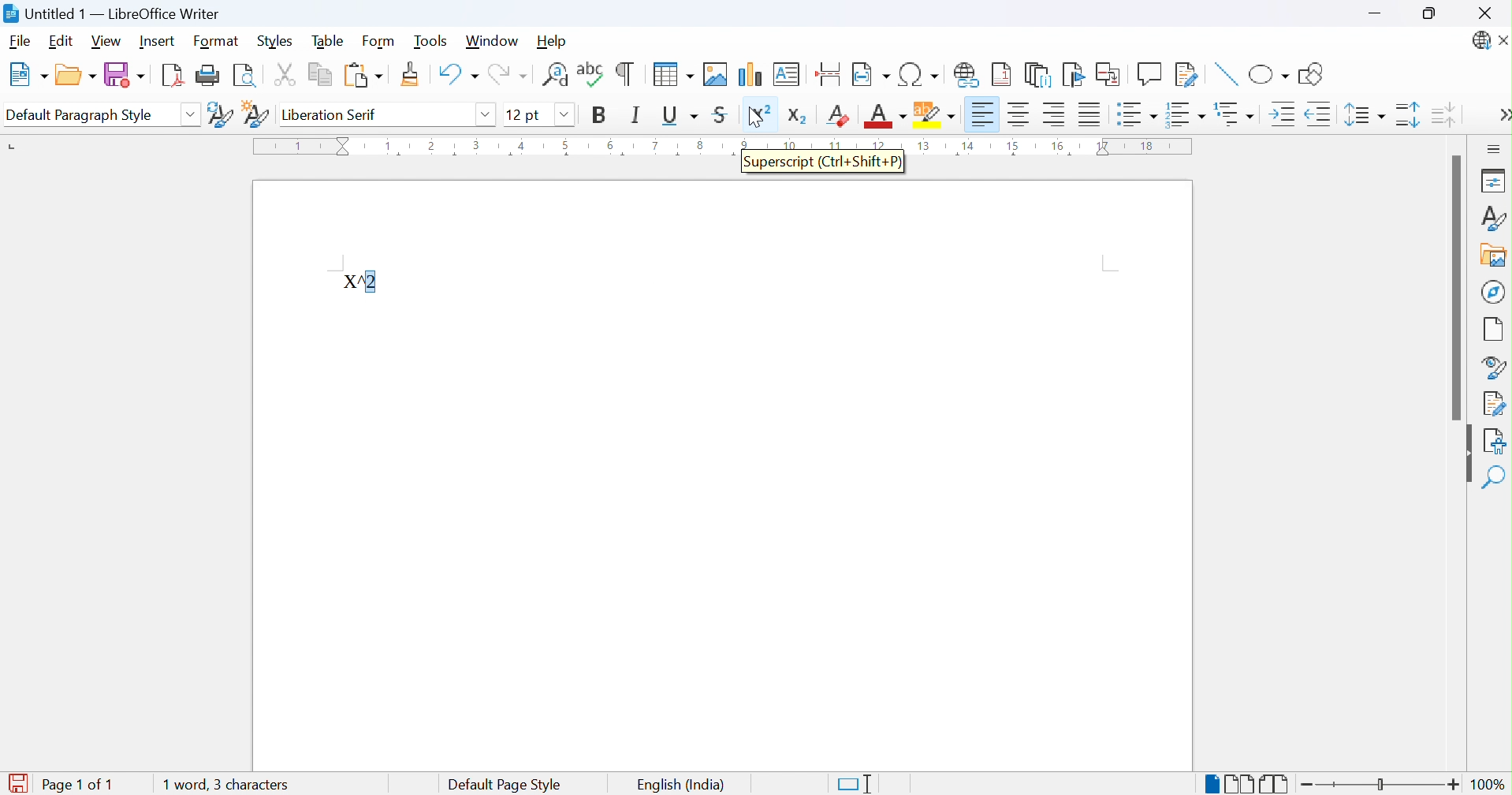 This screenshot has width=1512, height=795. What do you see at coordinates (602, 115) in the screenshot?
I see `Bold` at bounding box center [602, 115].